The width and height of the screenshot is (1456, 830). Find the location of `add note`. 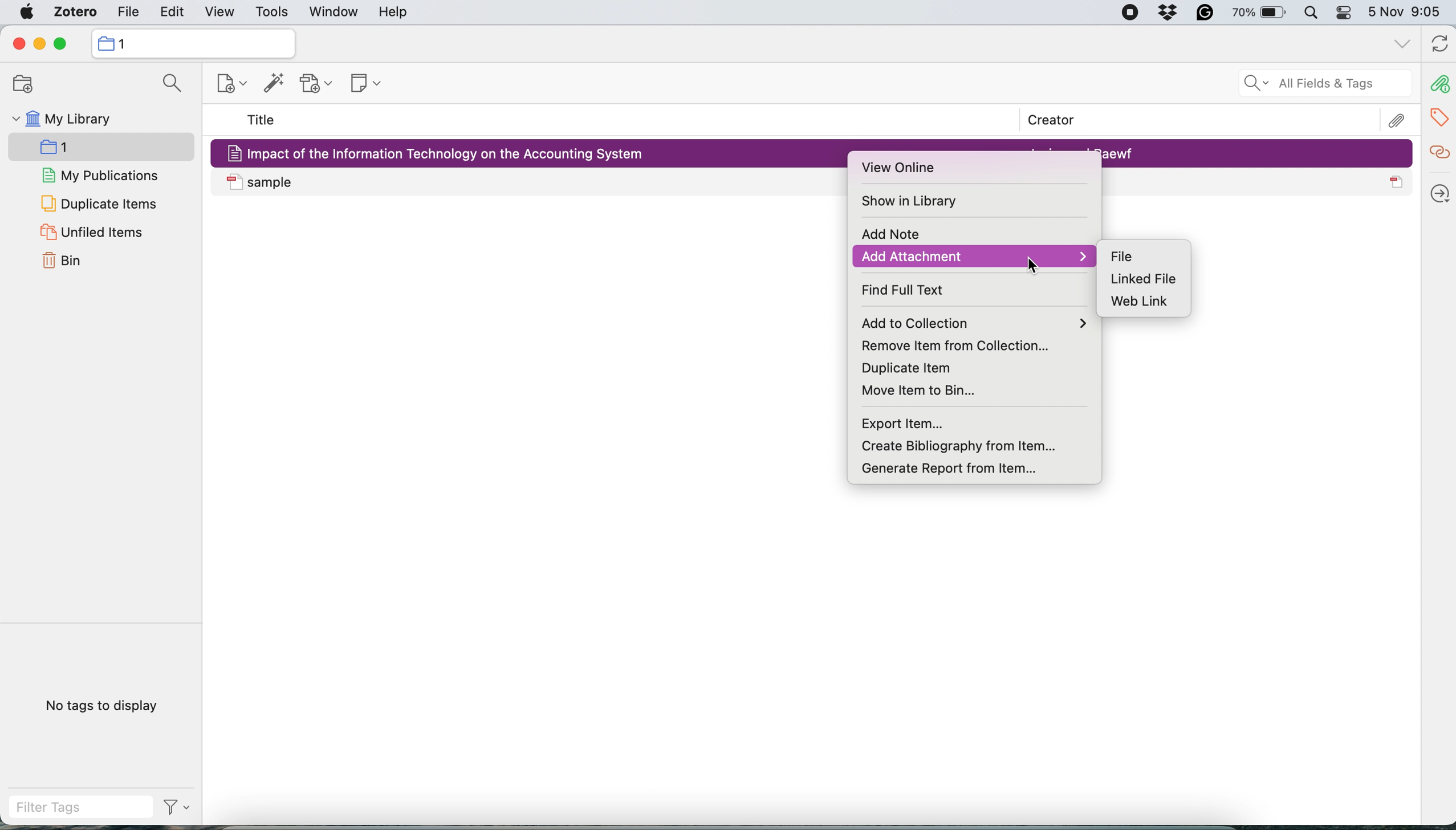

add note is located at coordinates (888, 235).